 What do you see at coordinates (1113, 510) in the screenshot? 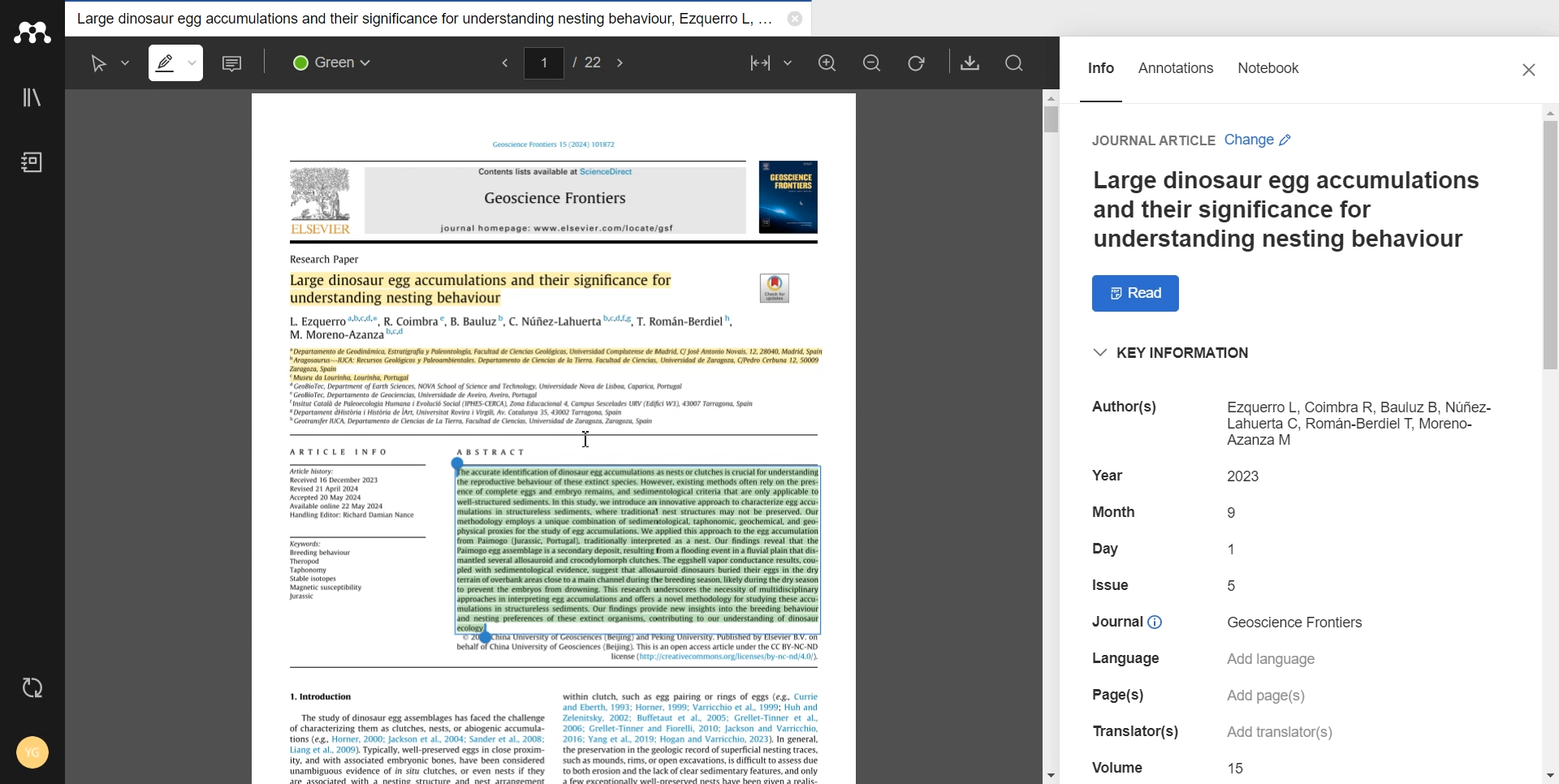
I see `text` at bounding box center [1113, 510].